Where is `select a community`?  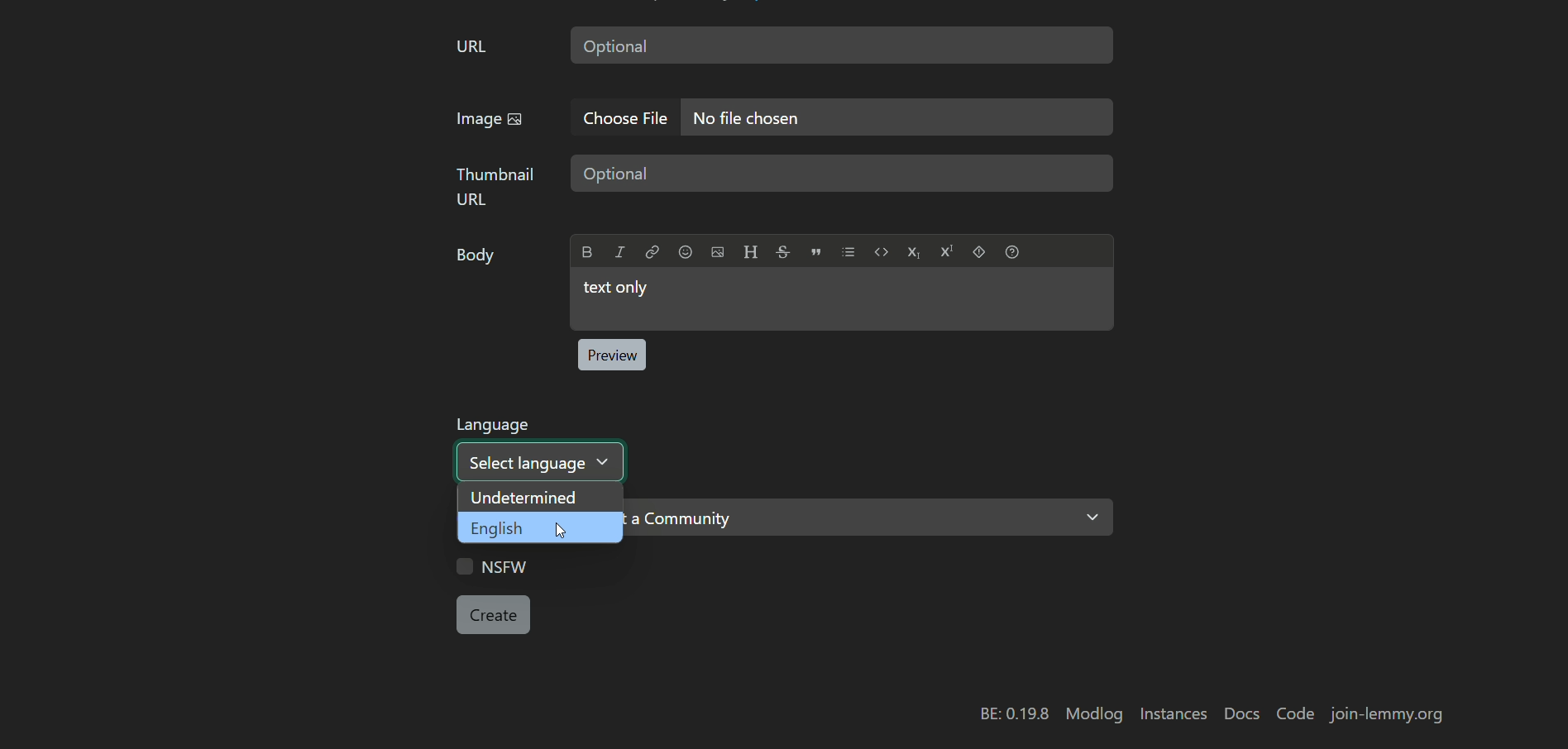
select a community is located at coordinates (871, 518).